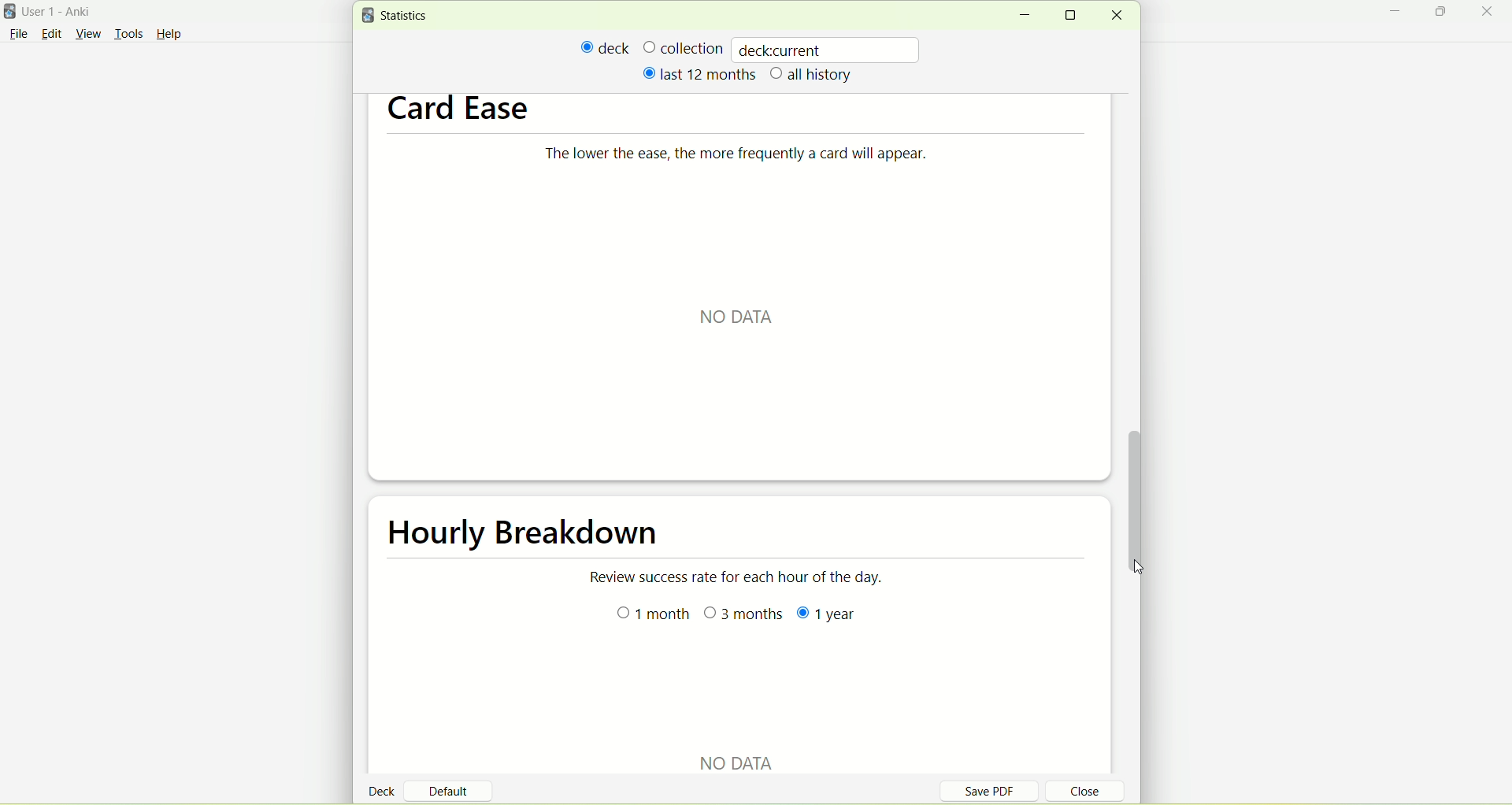  Describe the element at coordinates (454, 785) in the screenshot. I see `default` at that location.